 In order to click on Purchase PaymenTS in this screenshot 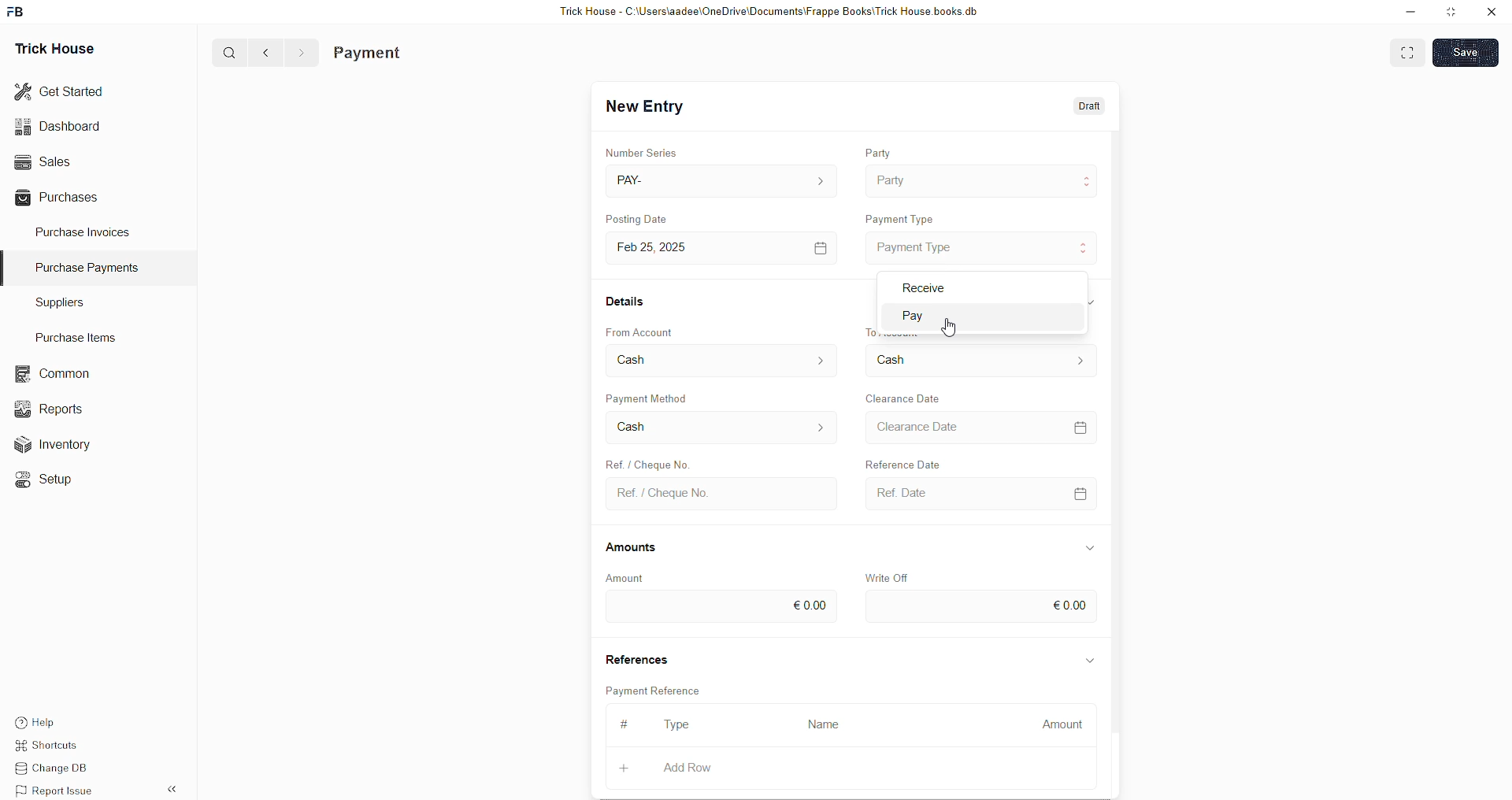, I will do `click(83, 268)`.